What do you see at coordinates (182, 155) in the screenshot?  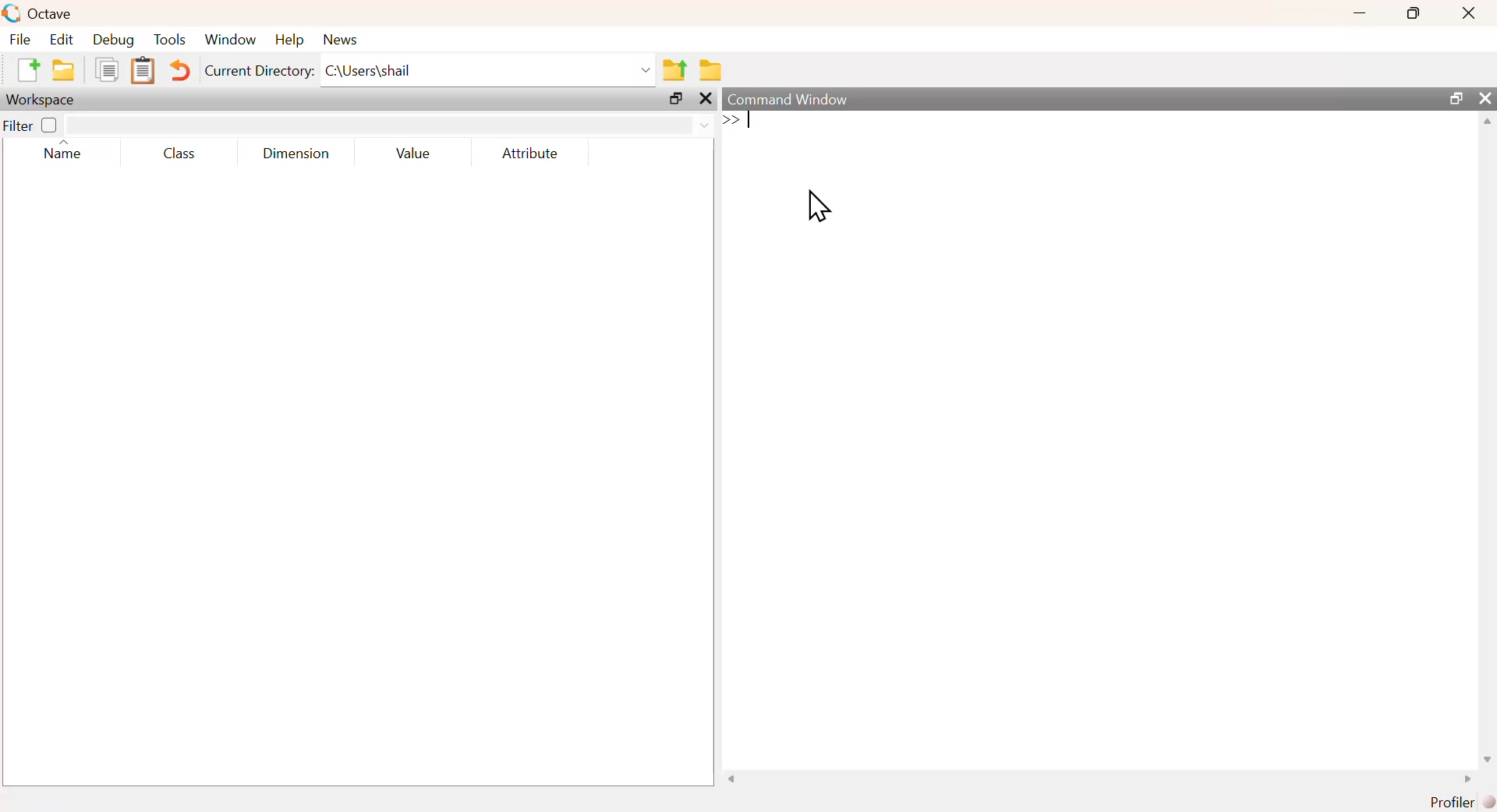 I see `Class` at bounding box center [182, 155].